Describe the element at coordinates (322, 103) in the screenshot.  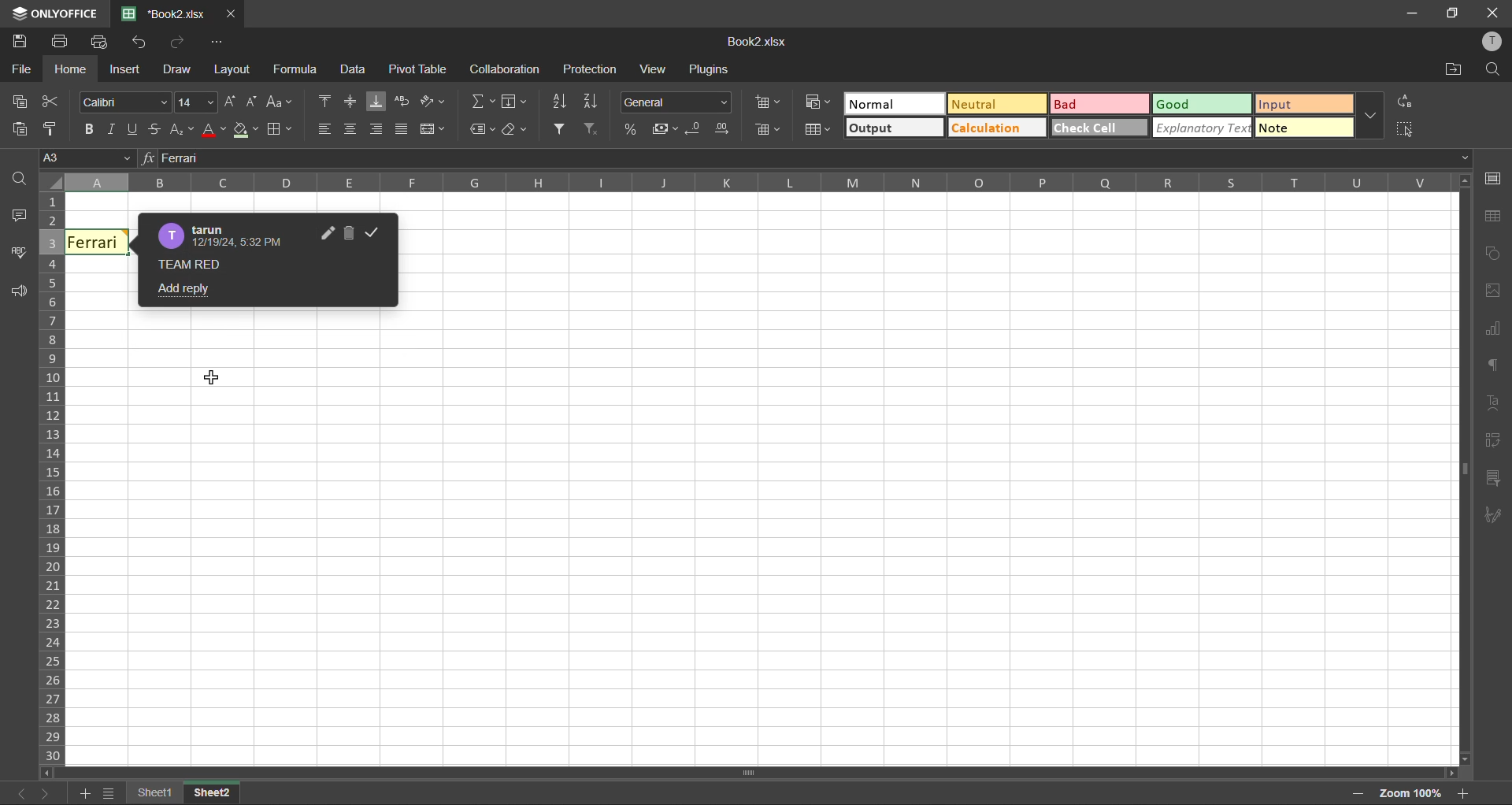
I see `align top` at that location.